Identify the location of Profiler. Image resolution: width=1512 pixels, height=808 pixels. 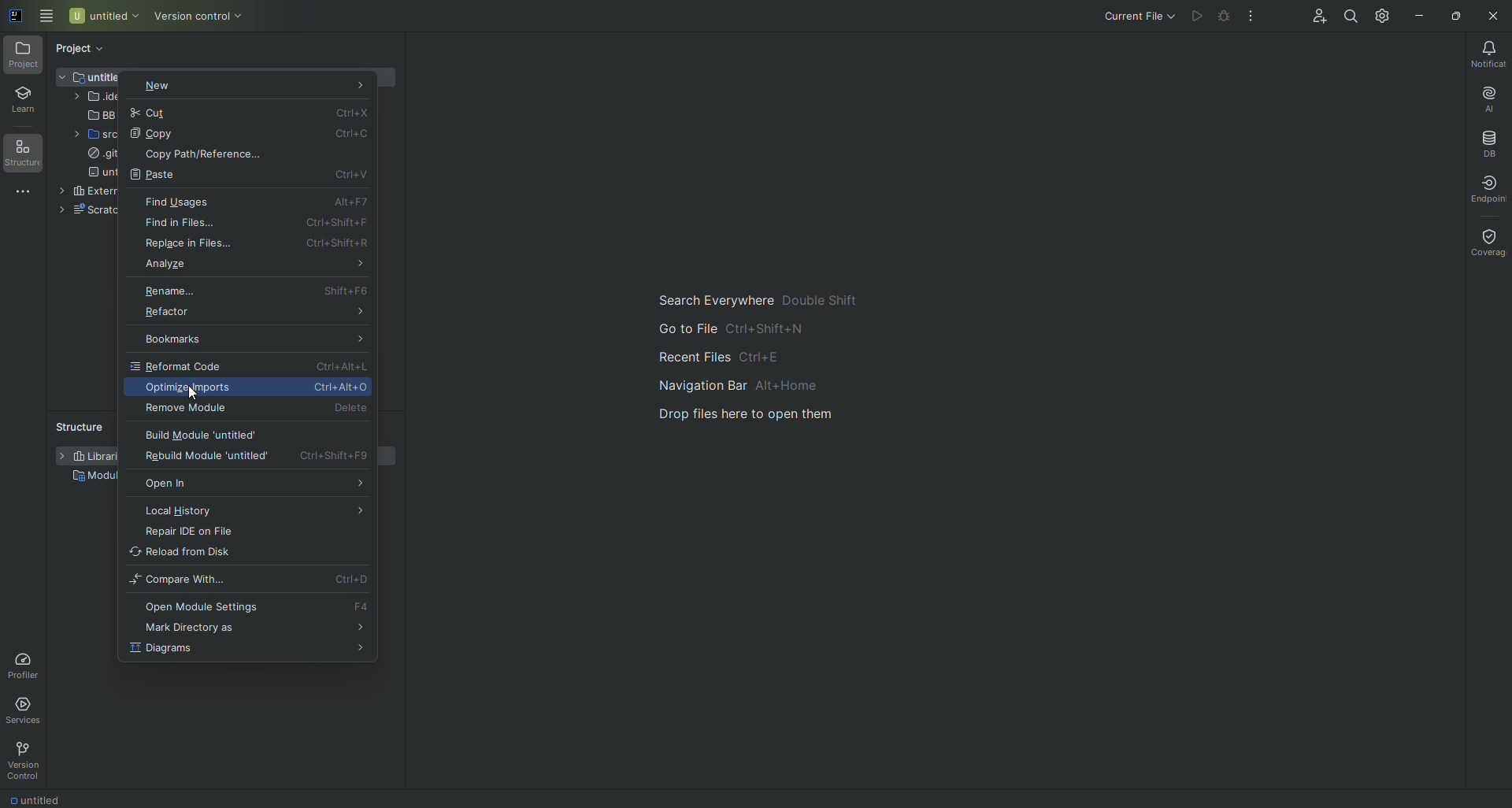
(25, 665).